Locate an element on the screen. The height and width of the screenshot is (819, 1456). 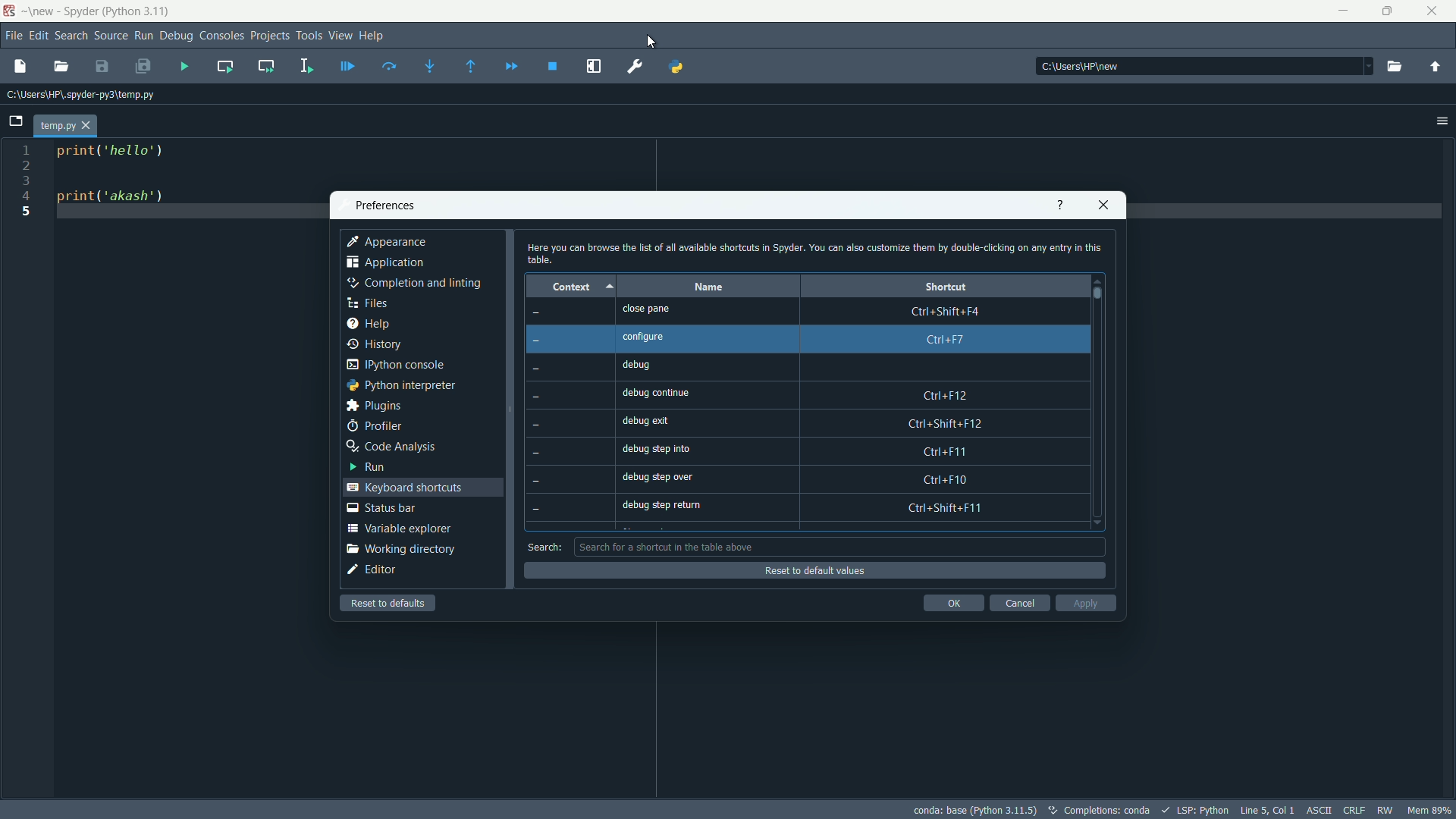
close preferences window is located at coordinates (1104, 205).